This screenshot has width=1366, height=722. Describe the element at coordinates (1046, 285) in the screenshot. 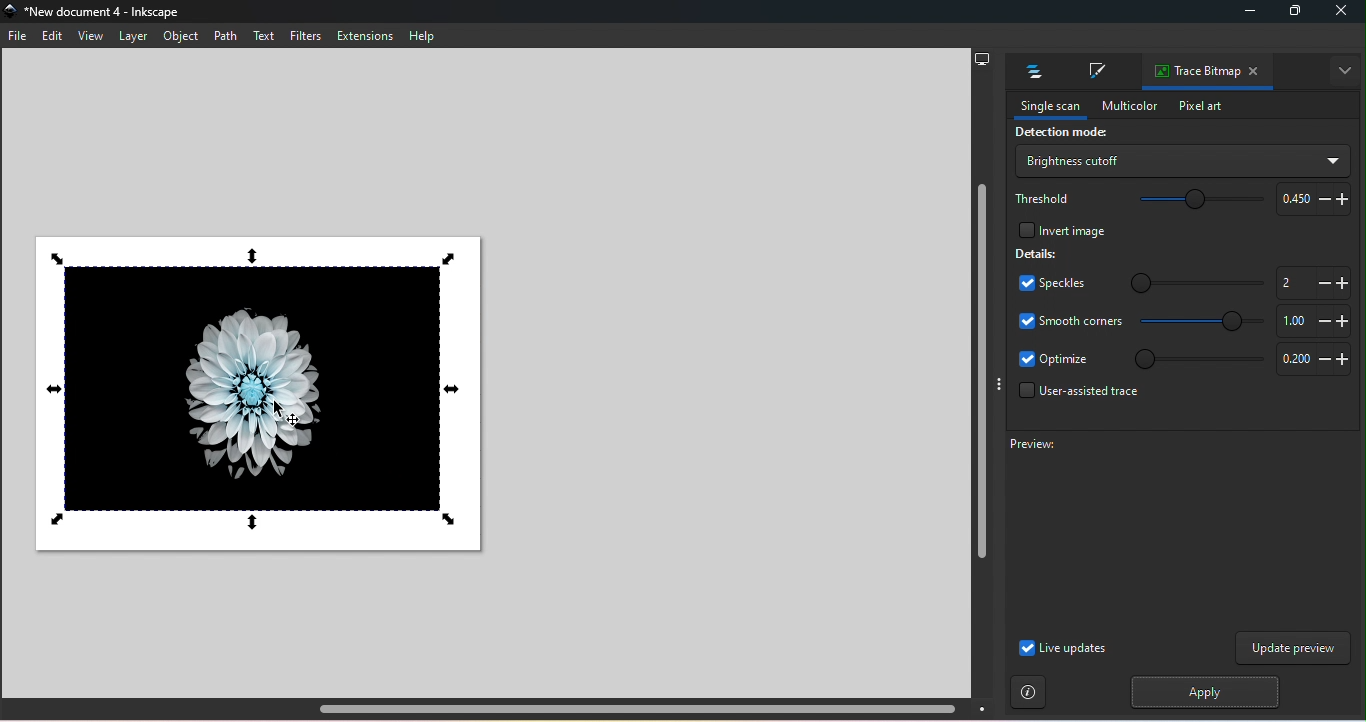

I see `Speckles` at that location.